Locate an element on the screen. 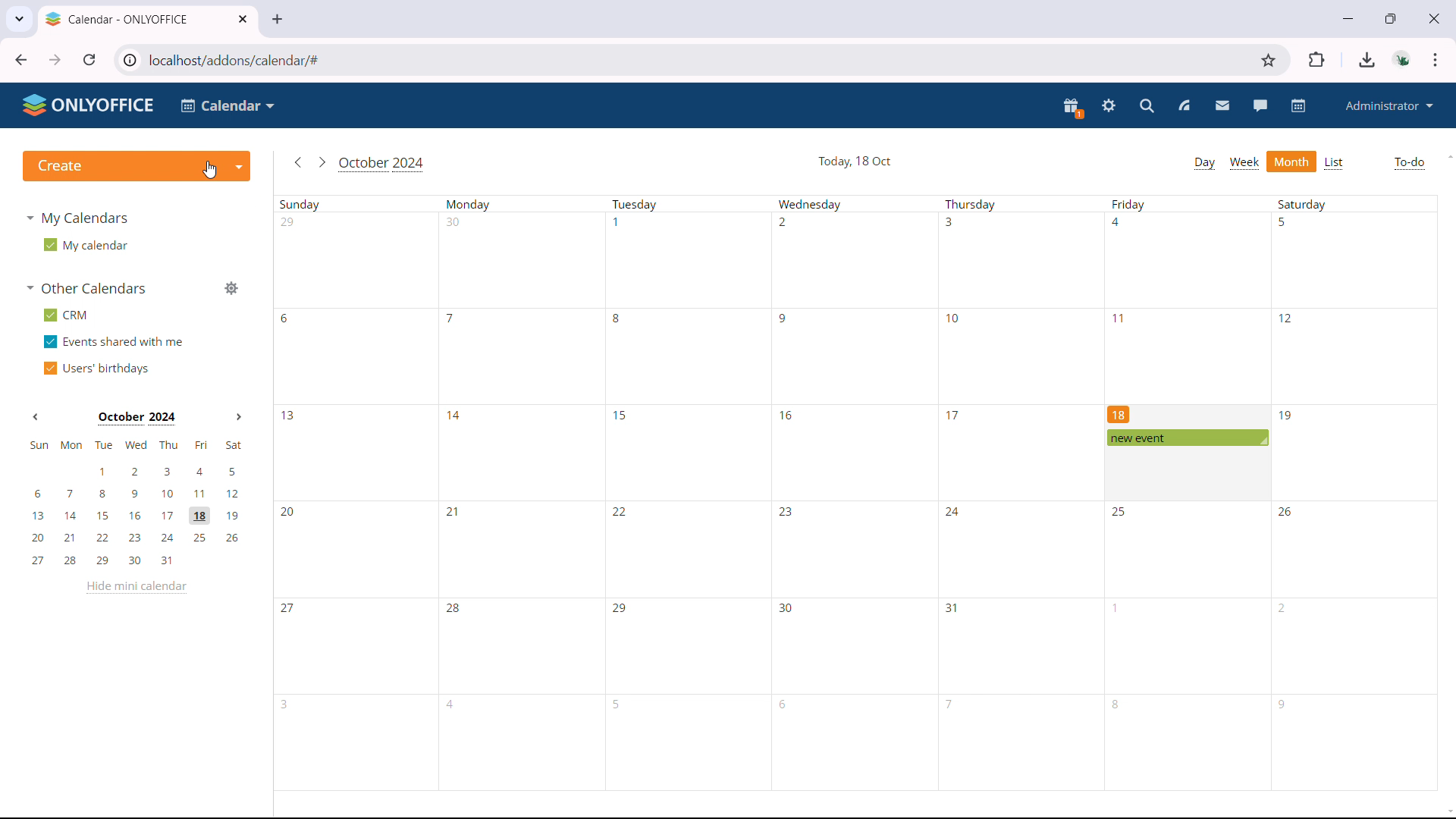  to-do is located at coordinates (1409, 163).